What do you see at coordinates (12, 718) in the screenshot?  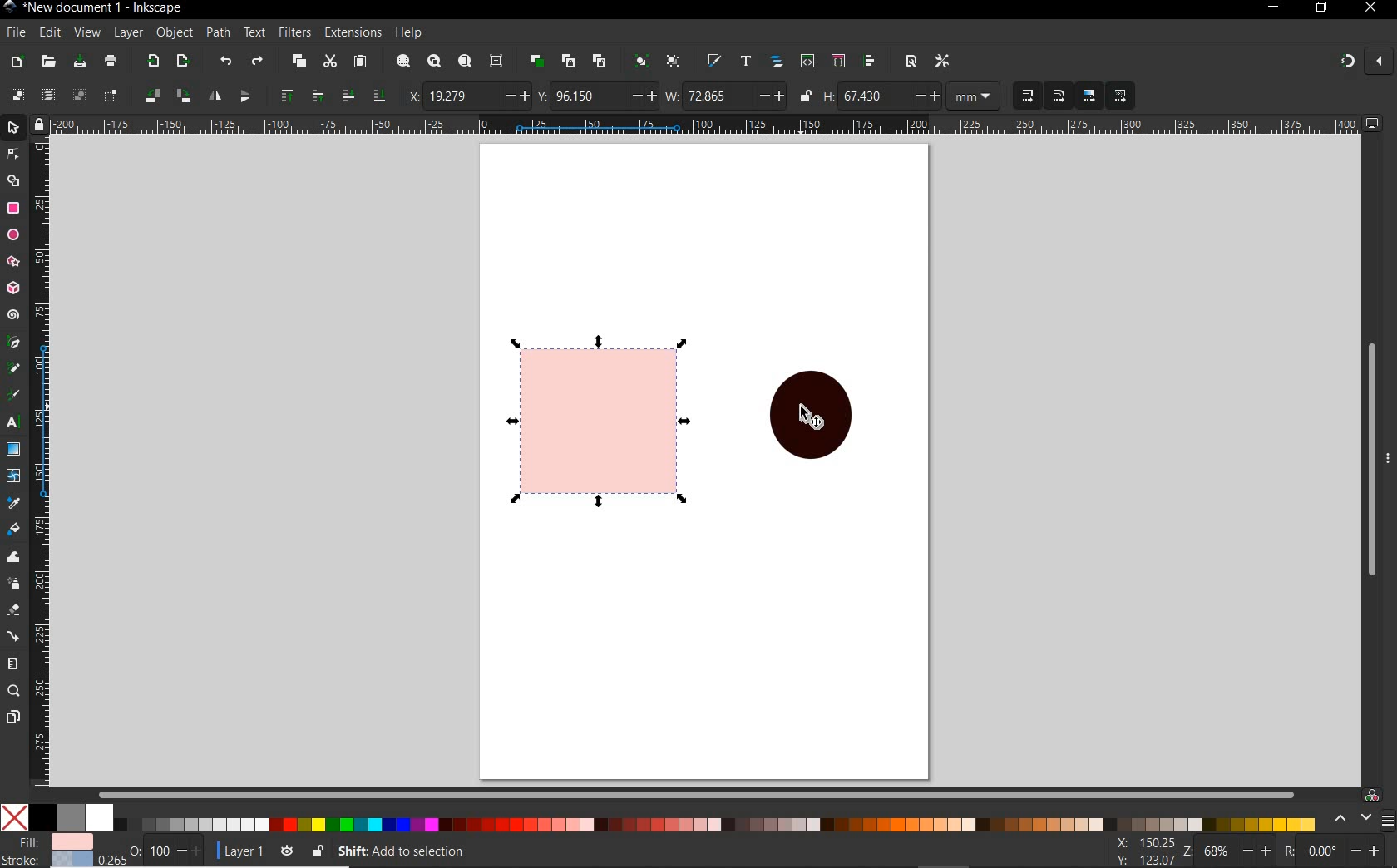 I see `page tool` at bounding box center [12, 718].